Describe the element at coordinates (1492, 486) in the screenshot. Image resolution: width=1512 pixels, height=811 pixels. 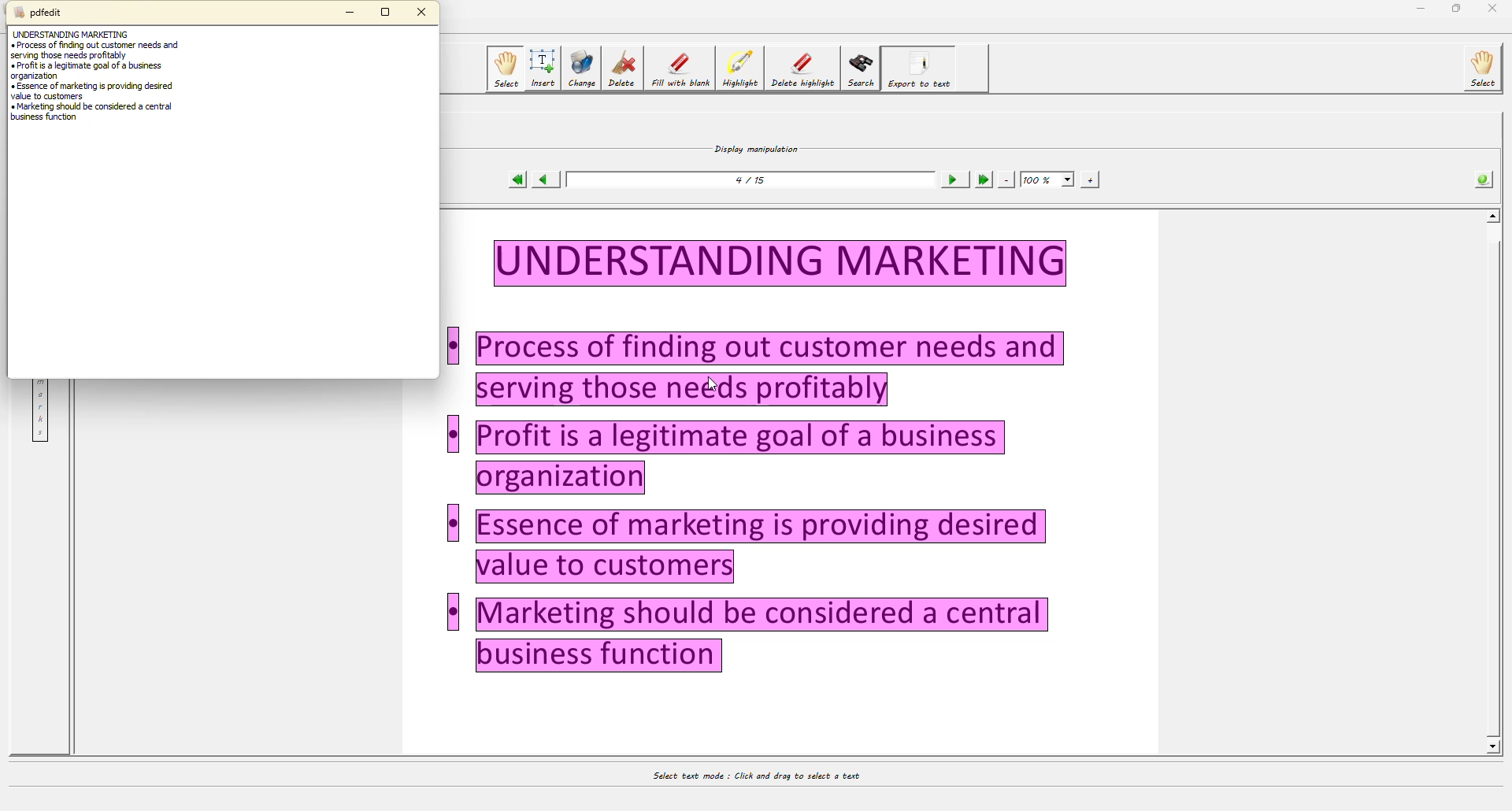
I see `` at that location.